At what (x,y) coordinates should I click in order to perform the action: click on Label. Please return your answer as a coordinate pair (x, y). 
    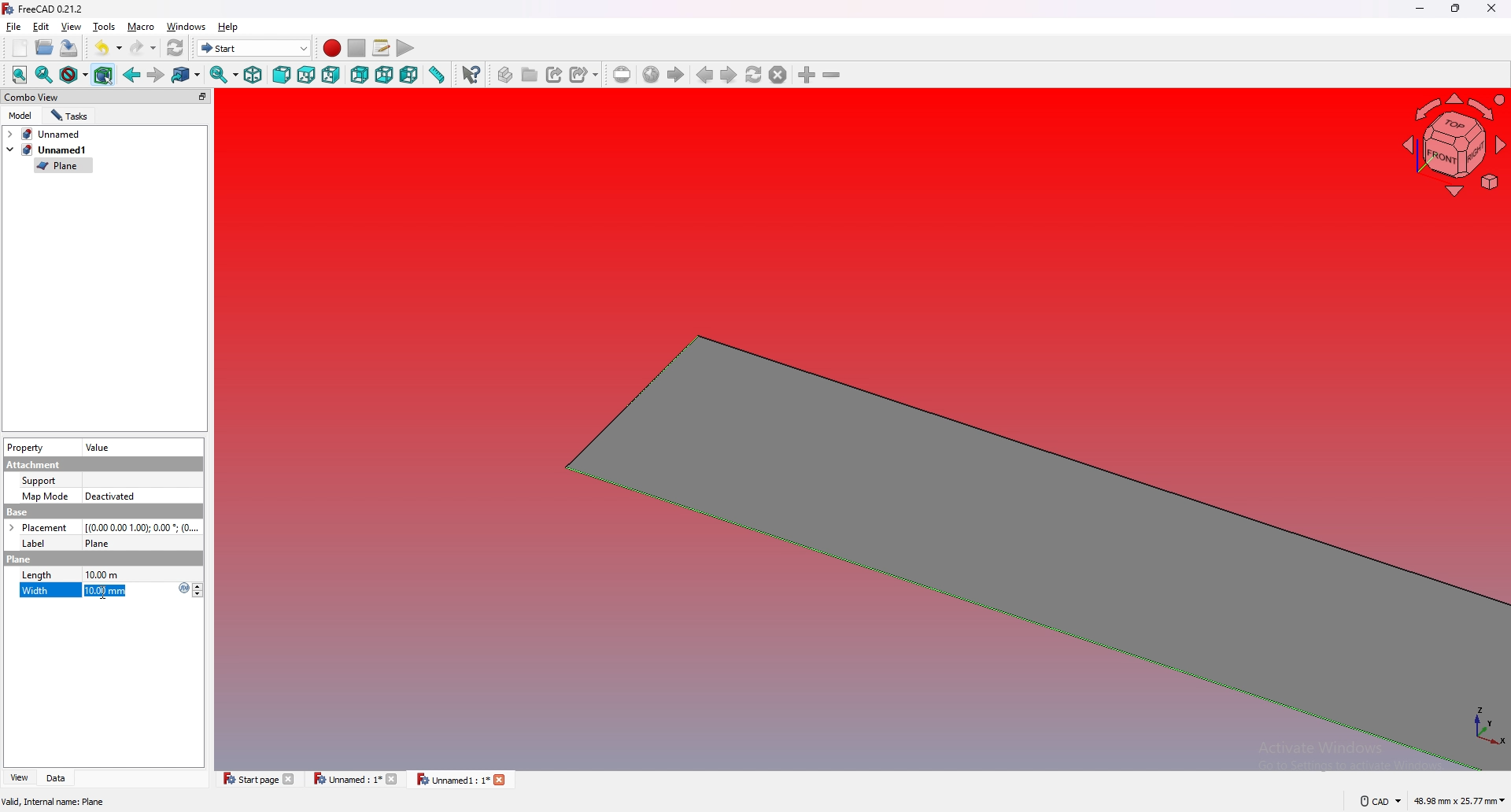
    Looking at the image, I should click on (39, 543).